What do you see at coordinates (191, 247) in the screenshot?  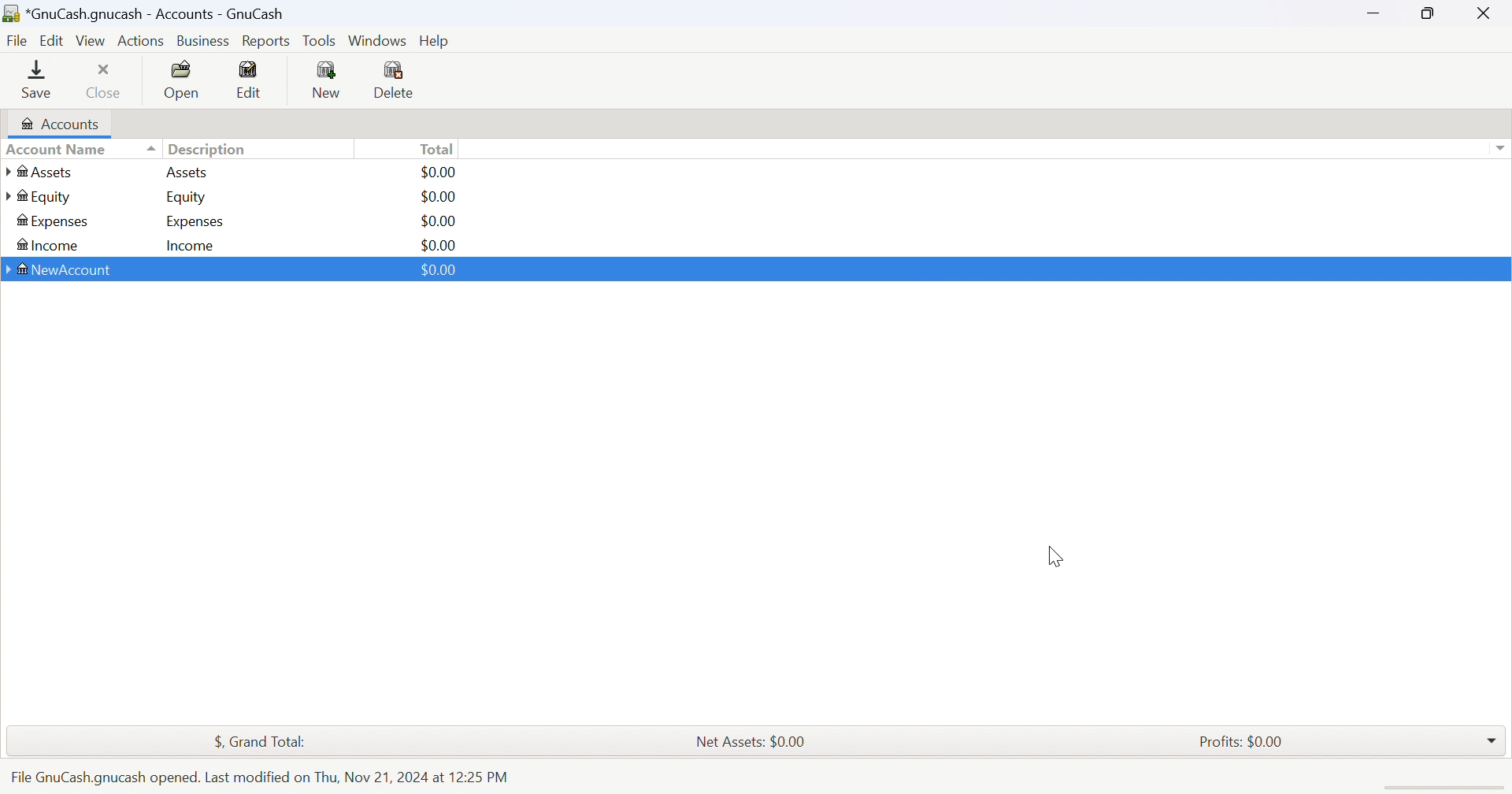 I see `Income` at bounding box center [191, 247].